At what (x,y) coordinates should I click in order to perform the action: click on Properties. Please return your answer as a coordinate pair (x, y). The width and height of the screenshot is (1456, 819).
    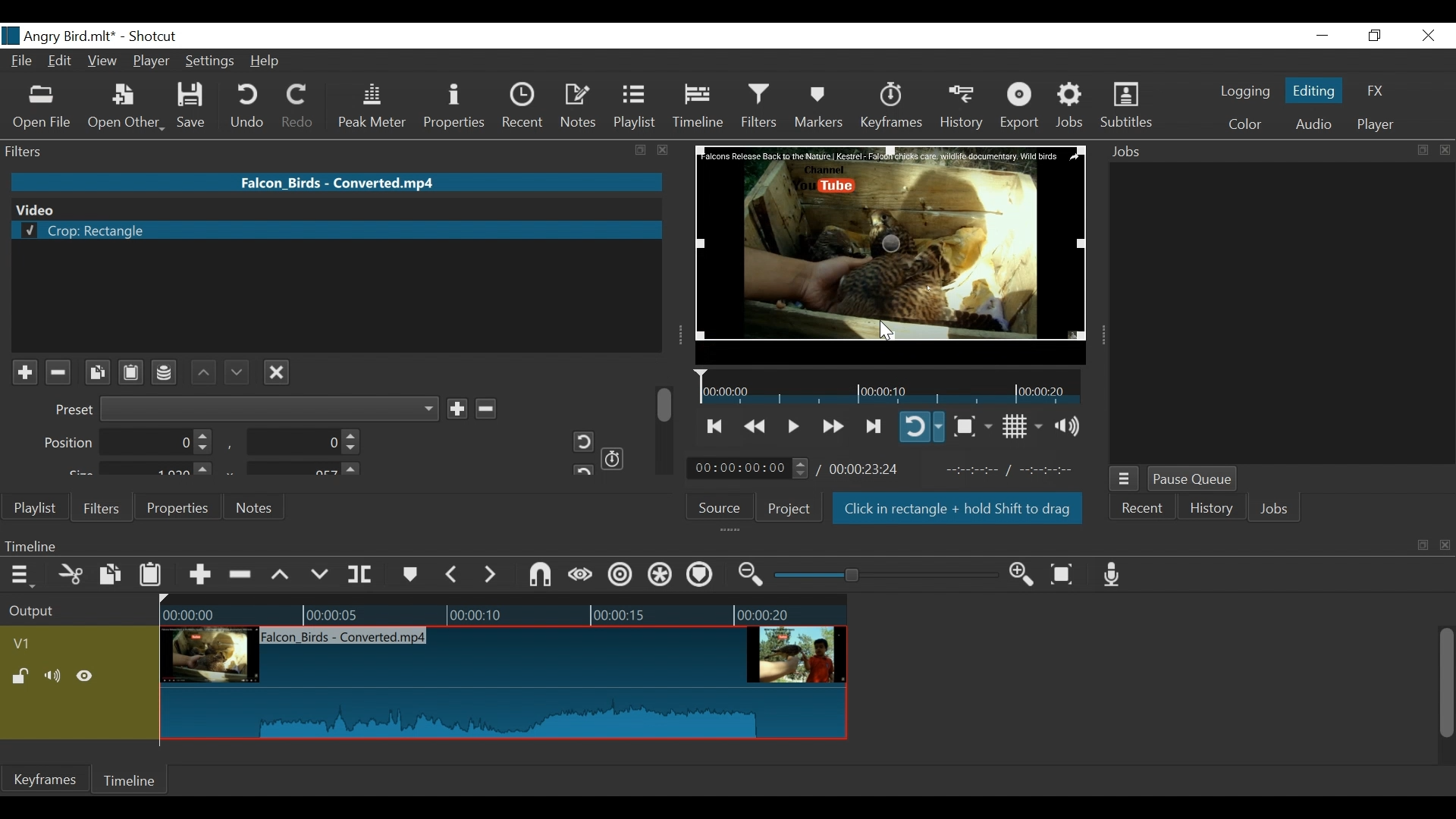
    Looking at the image, I should click on (457, 108).